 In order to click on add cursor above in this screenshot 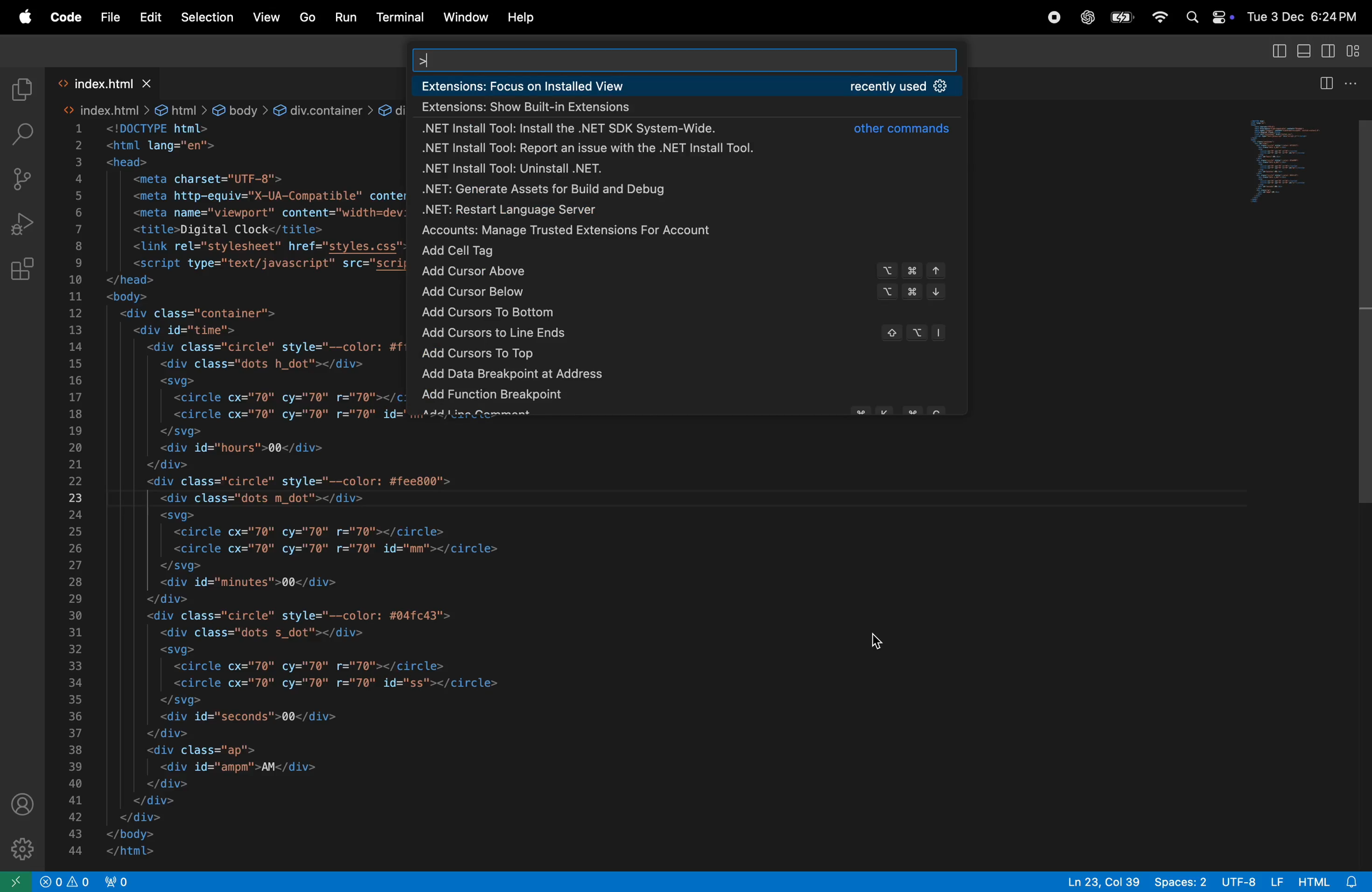, I will do `click(688, 272)`.